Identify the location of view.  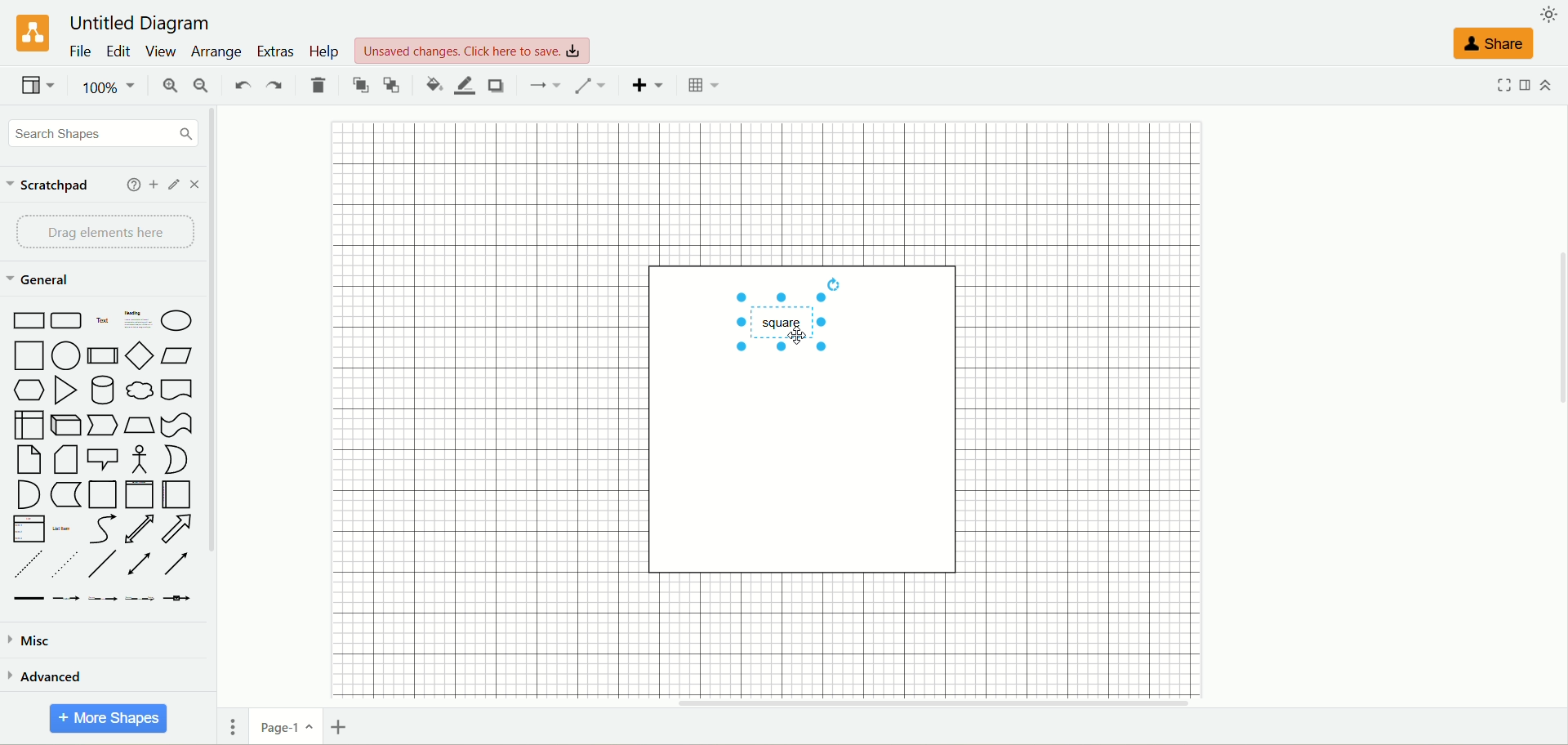
(160, 52).